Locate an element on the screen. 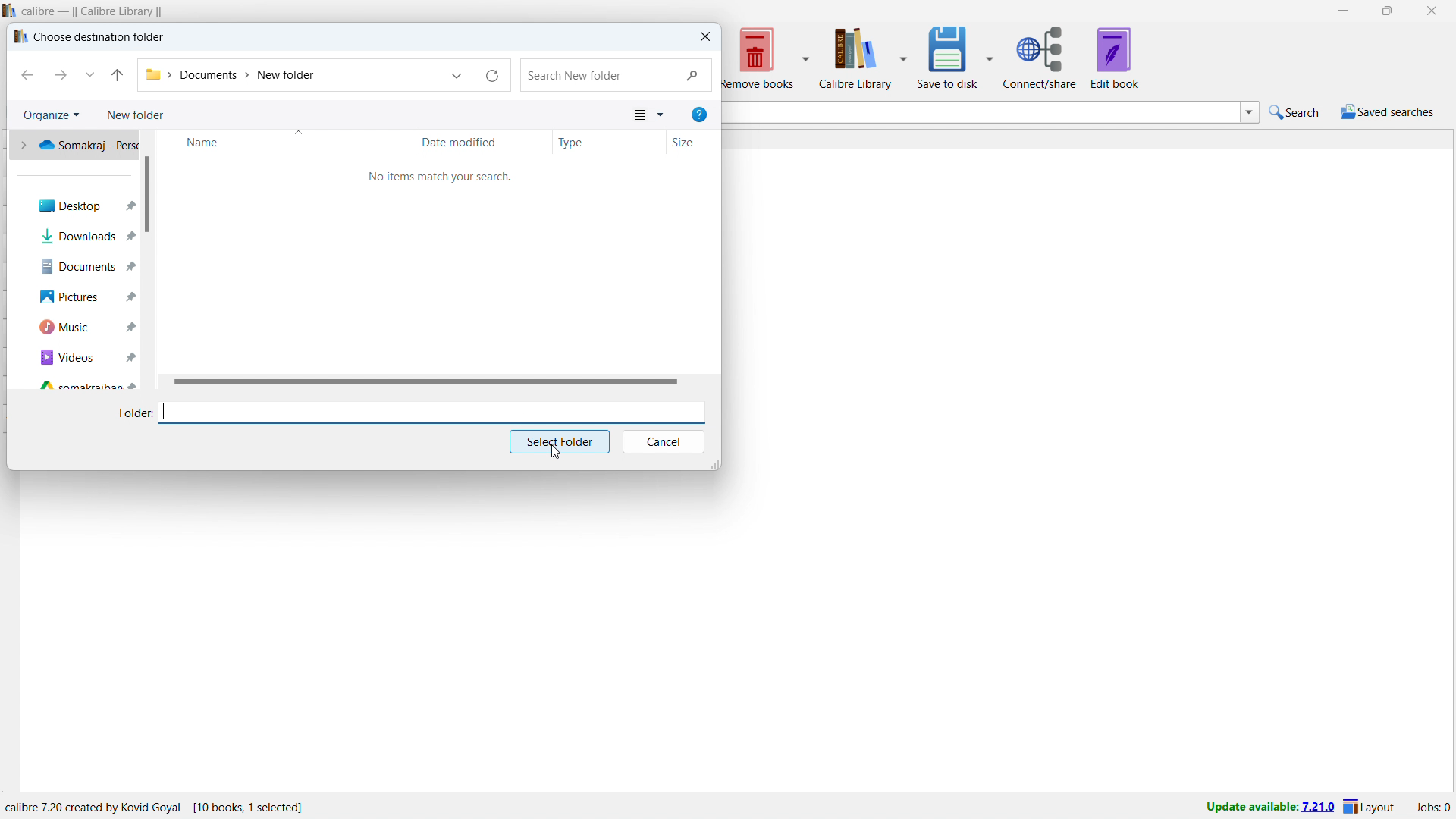  save to disk options is located at coordinates (989, 55).